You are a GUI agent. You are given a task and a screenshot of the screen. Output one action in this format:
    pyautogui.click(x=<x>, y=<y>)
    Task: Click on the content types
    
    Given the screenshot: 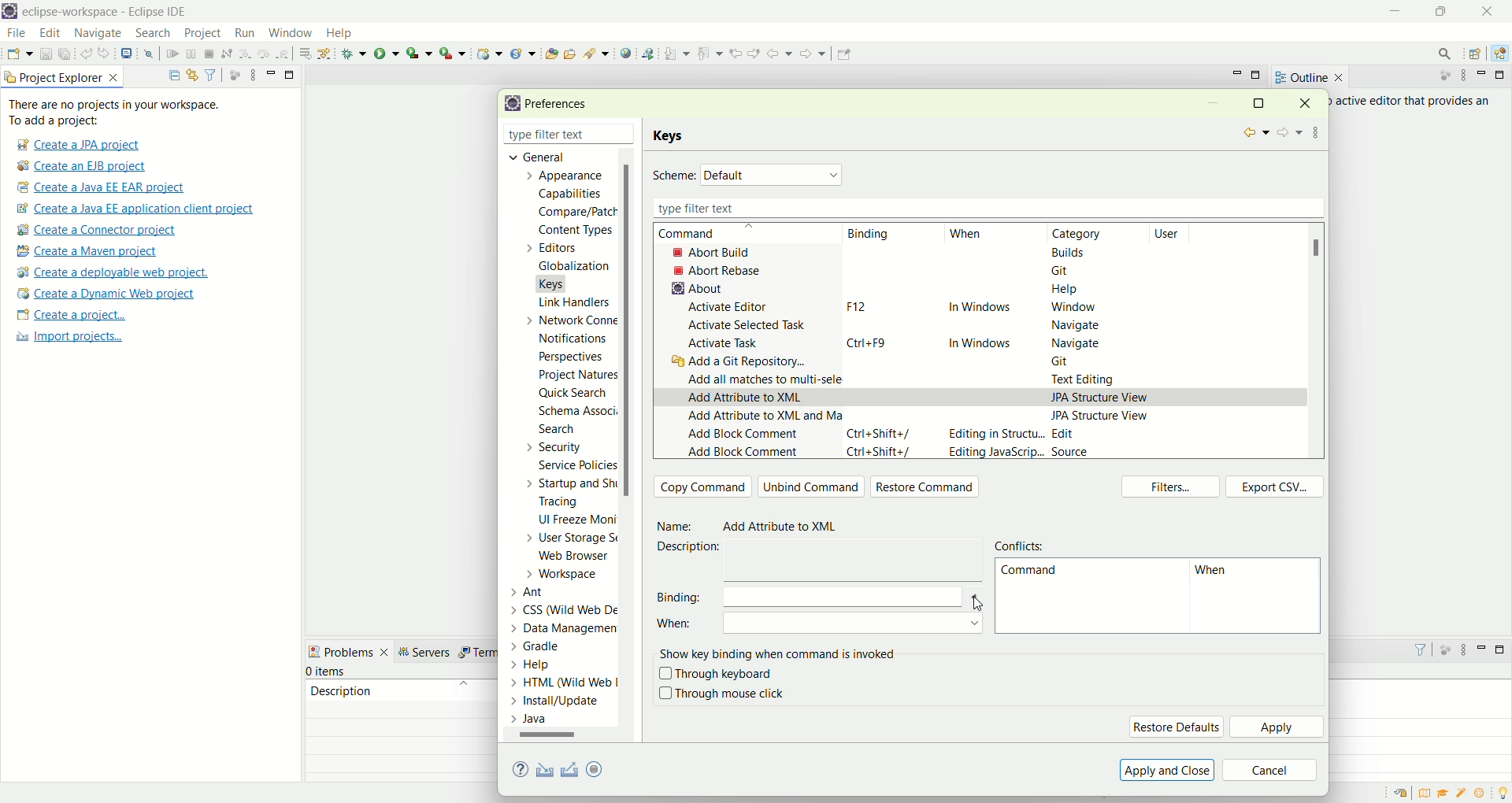 What is the action you would take?
    pyautogui.click(x=571, y=231)
    